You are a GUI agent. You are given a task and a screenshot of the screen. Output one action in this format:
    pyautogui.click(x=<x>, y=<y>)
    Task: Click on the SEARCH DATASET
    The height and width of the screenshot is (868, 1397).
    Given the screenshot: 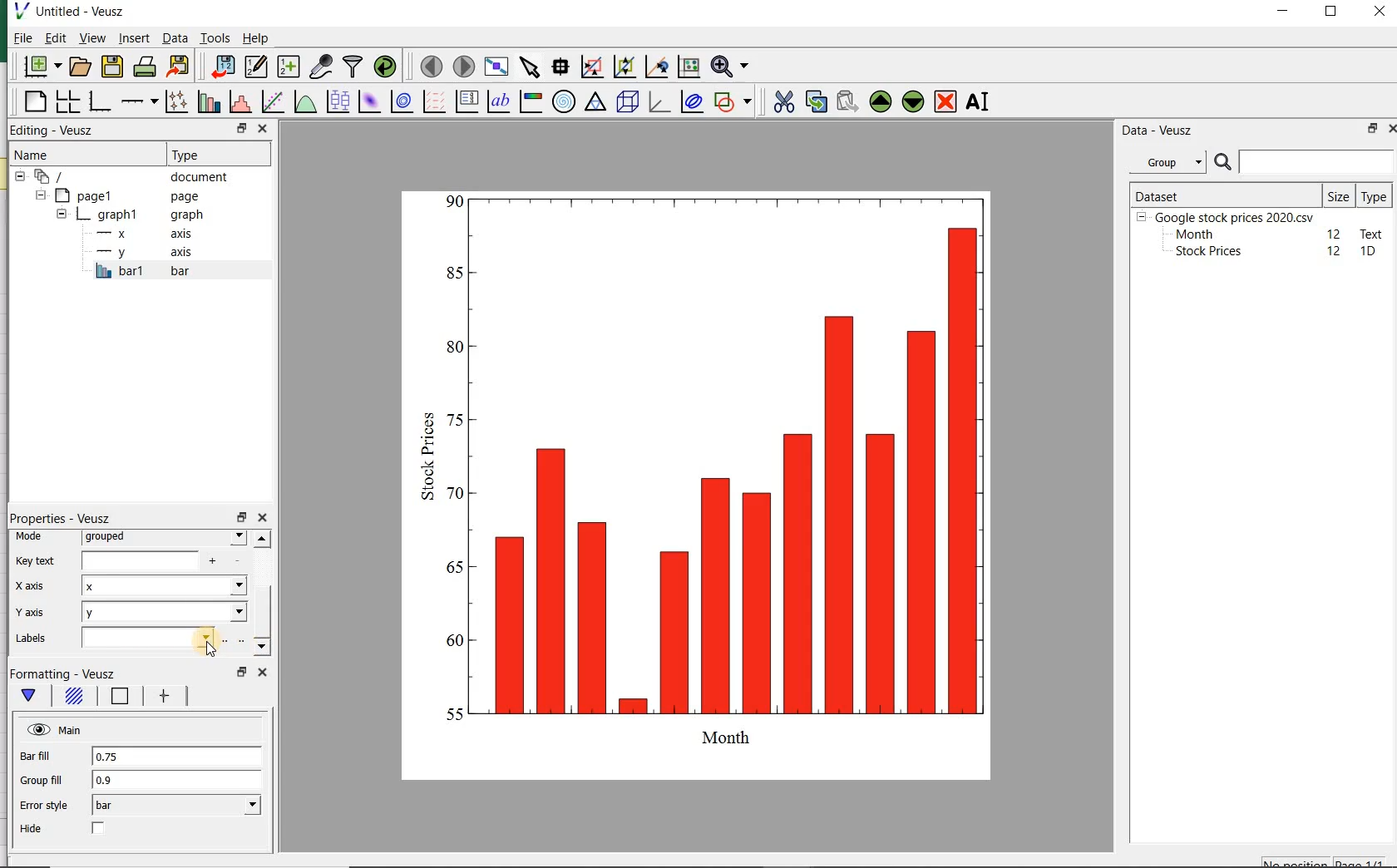 What is the action you would take?
    pyautogui.click(x=1304, y=161)
    